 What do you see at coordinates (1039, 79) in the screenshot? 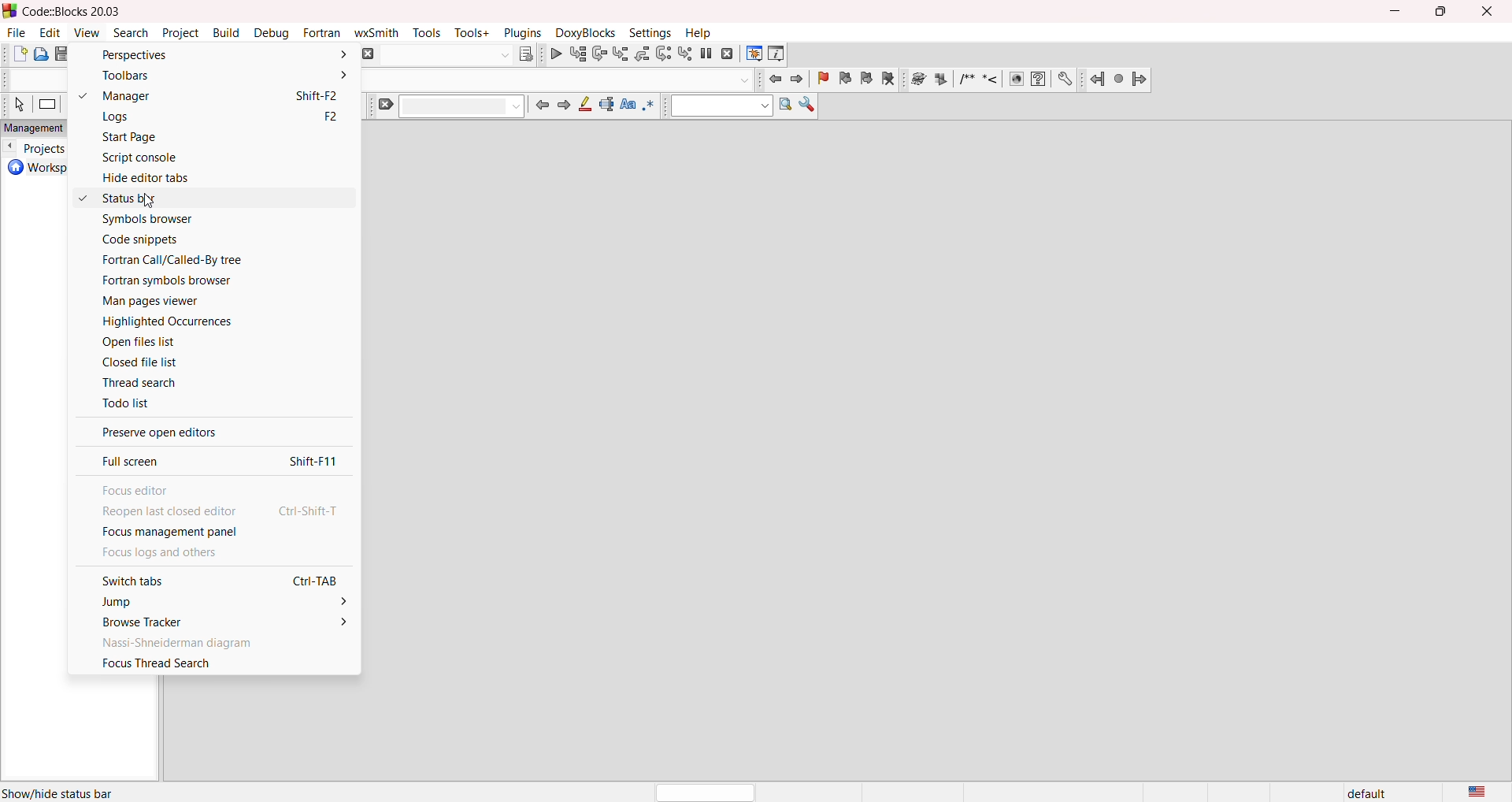
I see `HTML help` at bounding box center [1039, 79].